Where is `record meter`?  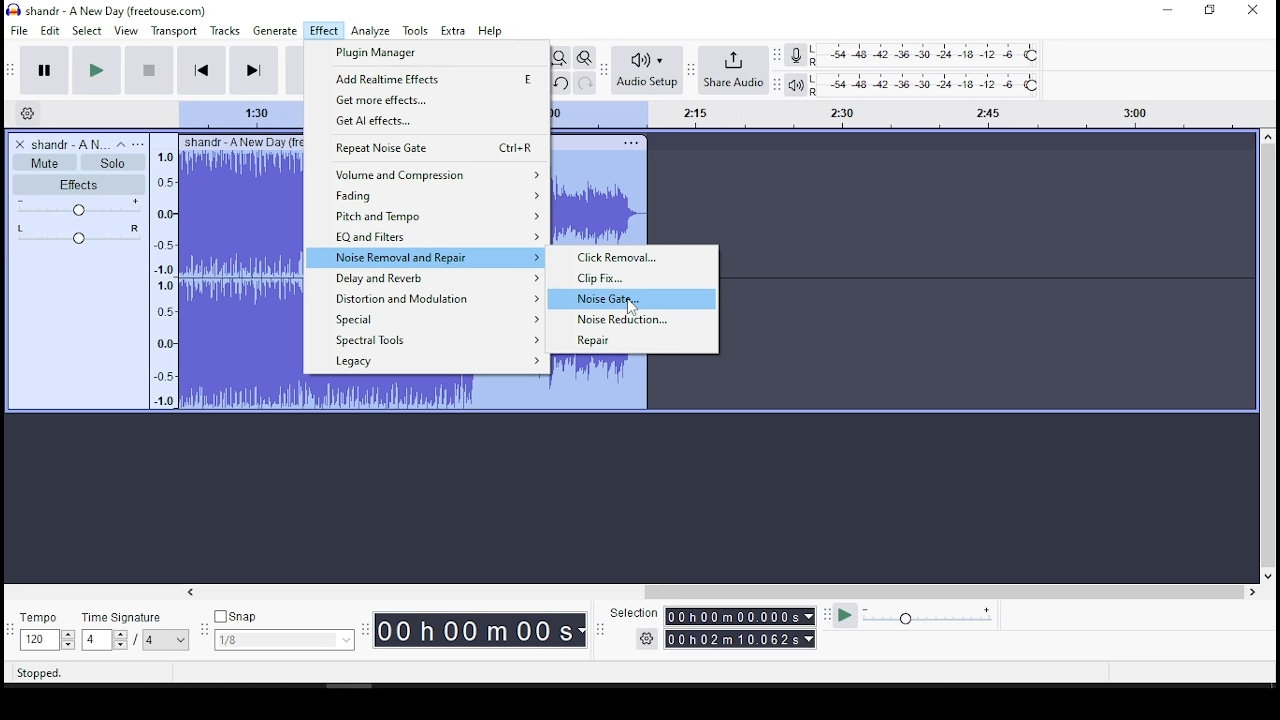 record meter is located at coordinates (797, 56).